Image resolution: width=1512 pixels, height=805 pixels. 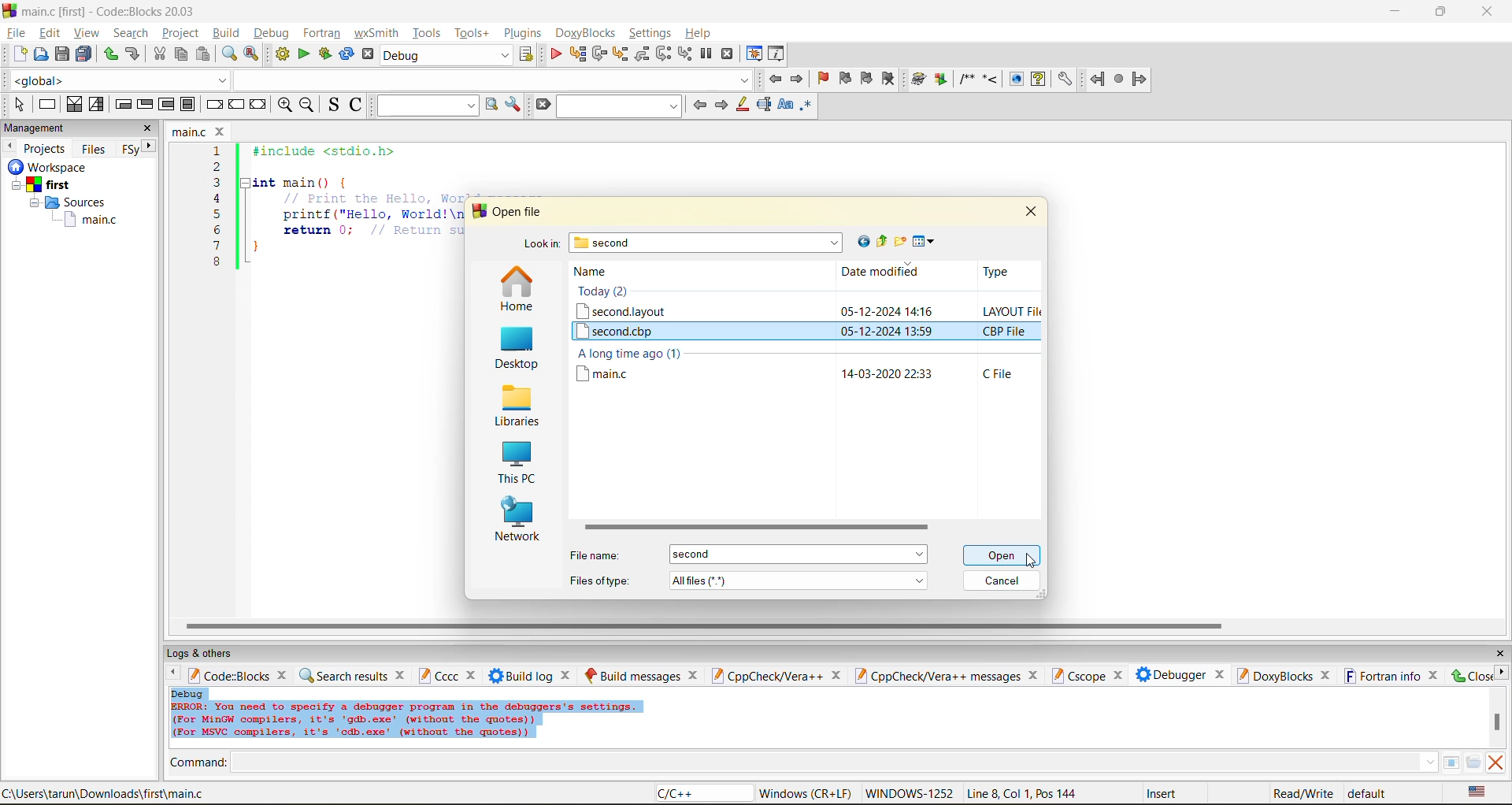 I want to click on run to cursor, so click(x=576, y=54).